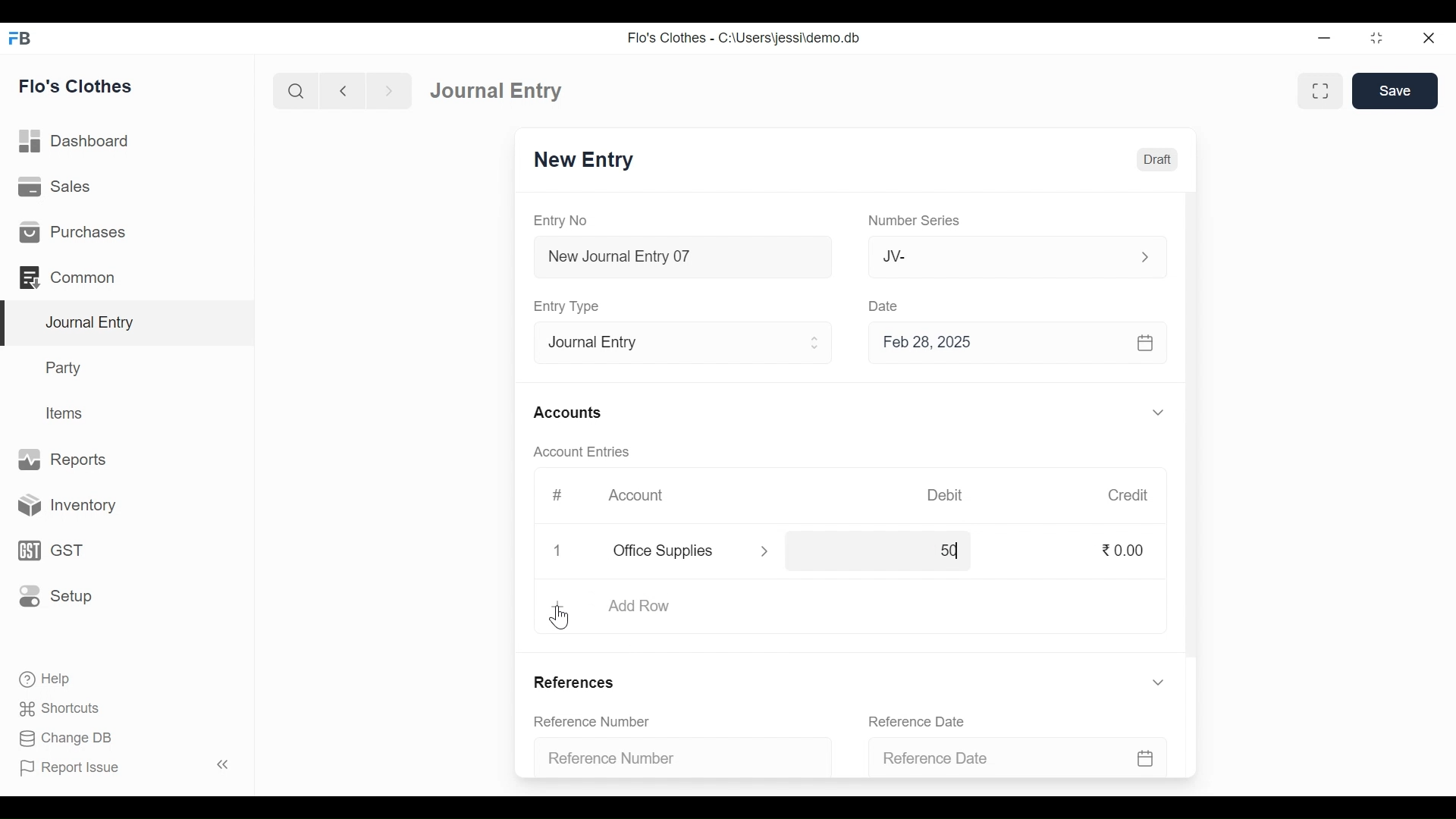 The width and height of the screenshot is (1456, 819). What do you see at coordinates (70, 277) in the screenshot?
I see `Common` at bounding box center [70, 277].